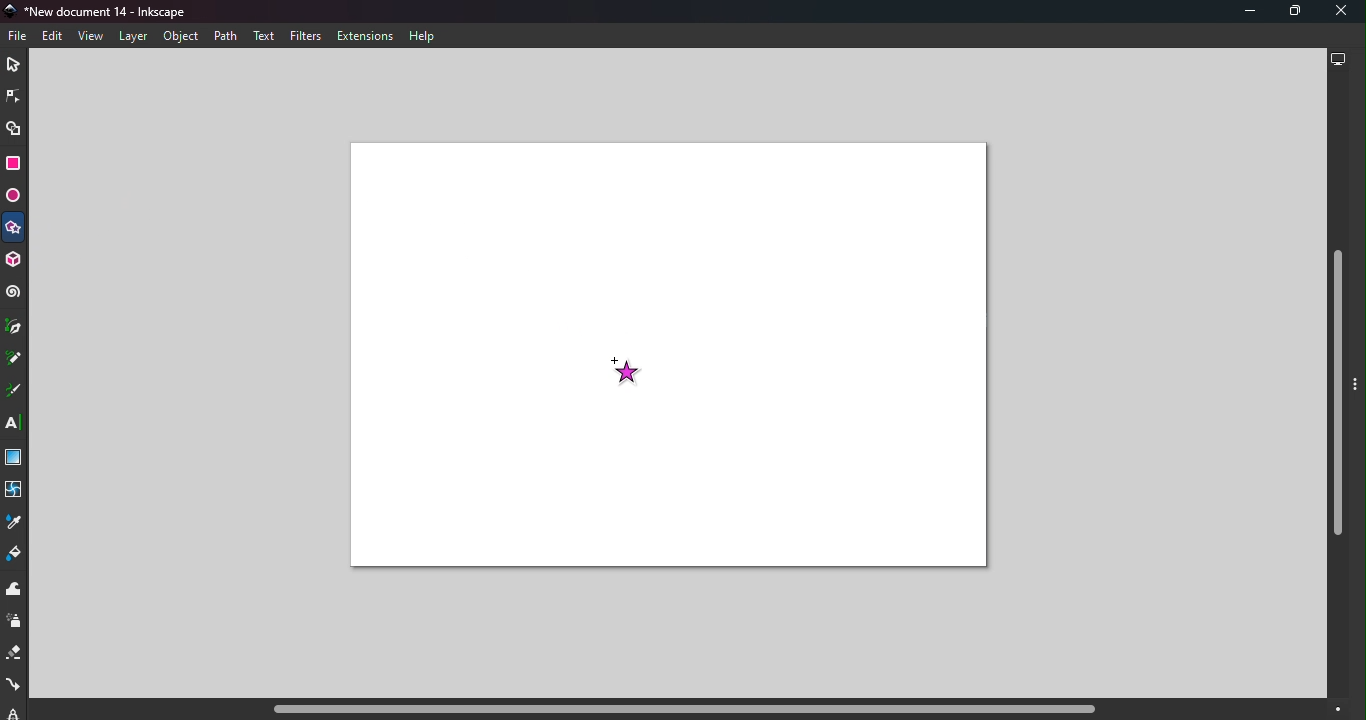  What do you see at coordinates (12, 526) in the screenshot?
I see `Dropper tool` at bounding box center [12, 526].